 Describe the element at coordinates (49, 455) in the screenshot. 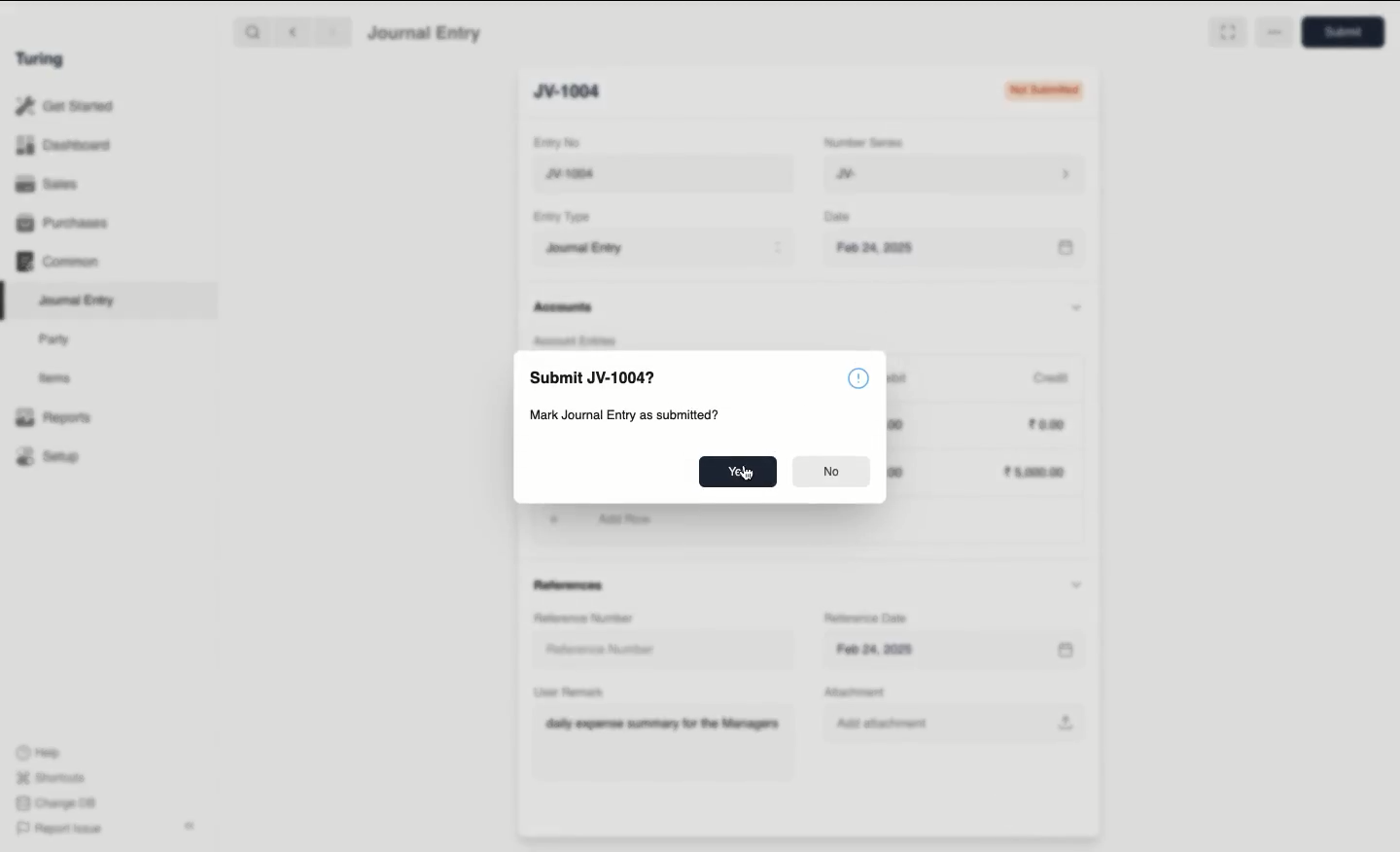

I see `Setup` at that location.